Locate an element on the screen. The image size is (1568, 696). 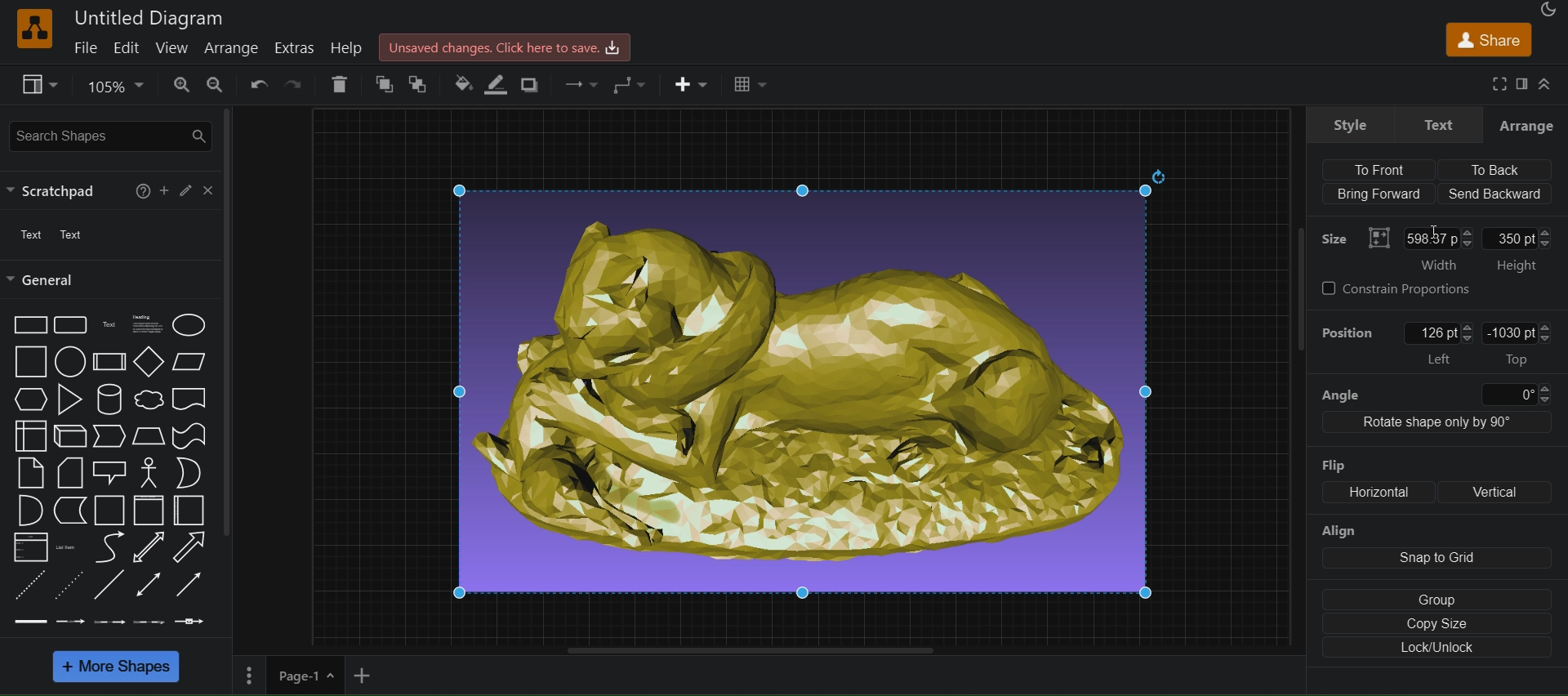
scrollbar is located at coordinates (229, 324).